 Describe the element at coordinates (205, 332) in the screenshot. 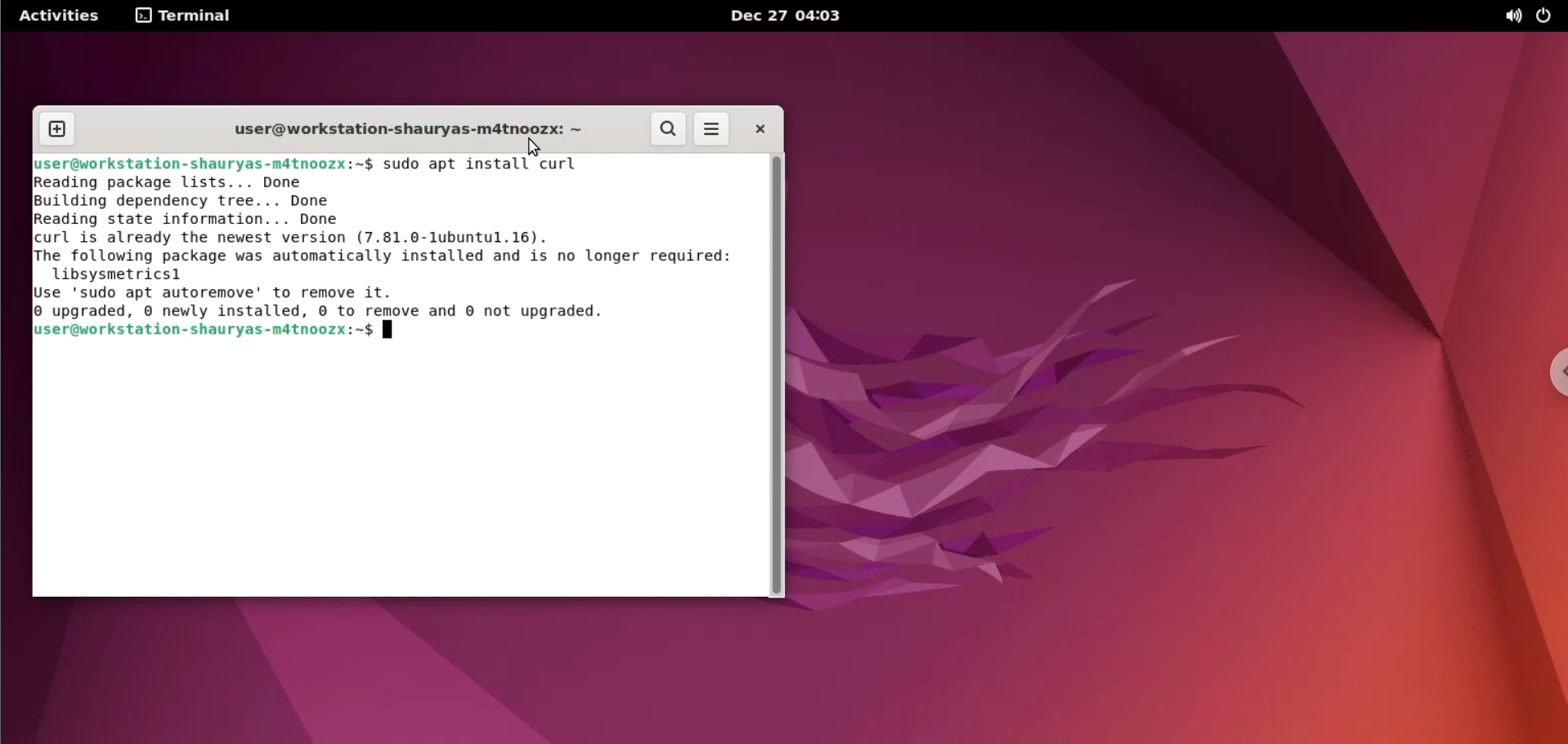

I see `user@workstation-shauryas-m4tnoozx:-$` at that location.